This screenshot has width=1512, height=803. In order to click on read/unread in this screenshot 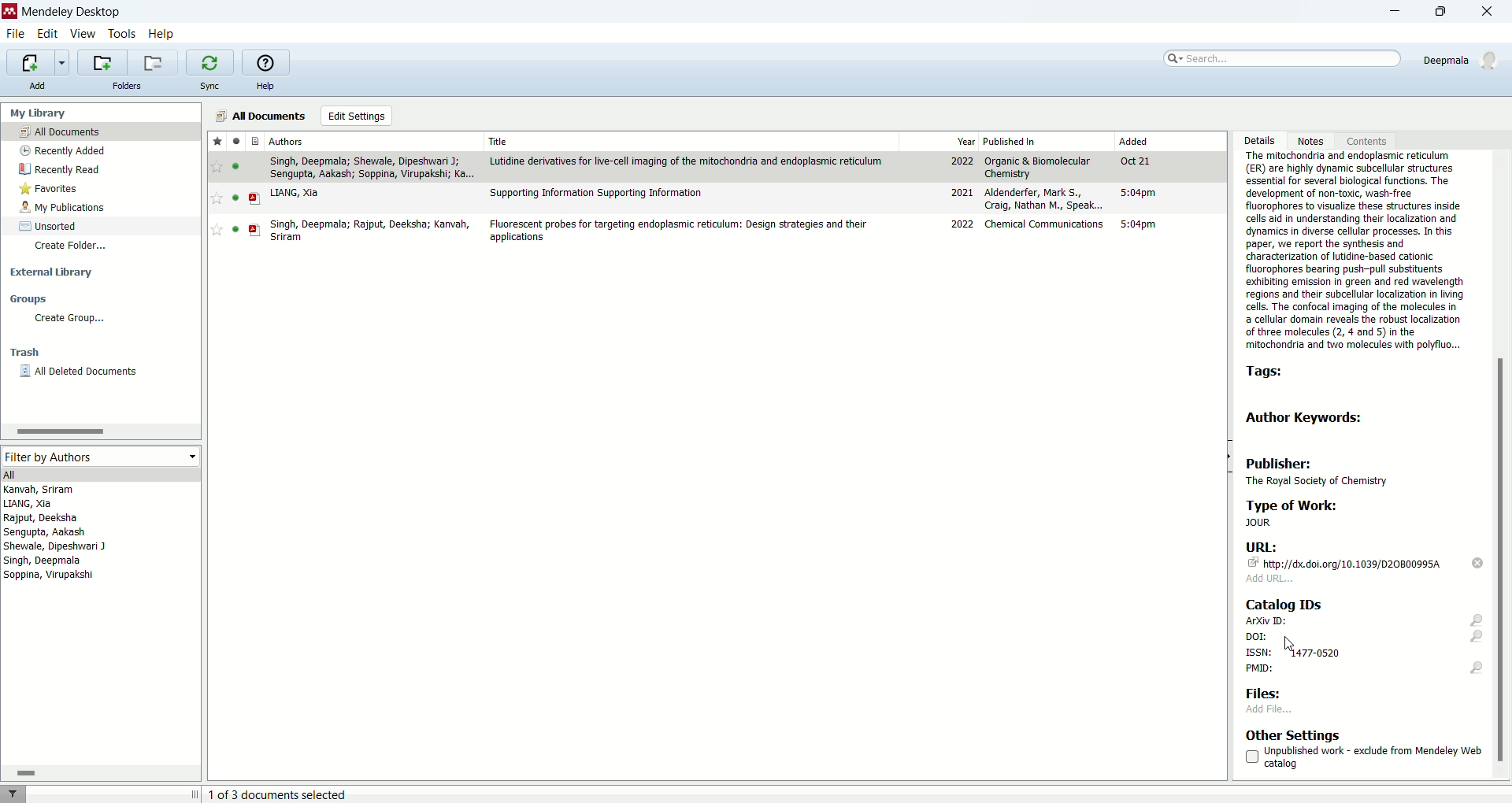, I will do `click(235, 140)`.